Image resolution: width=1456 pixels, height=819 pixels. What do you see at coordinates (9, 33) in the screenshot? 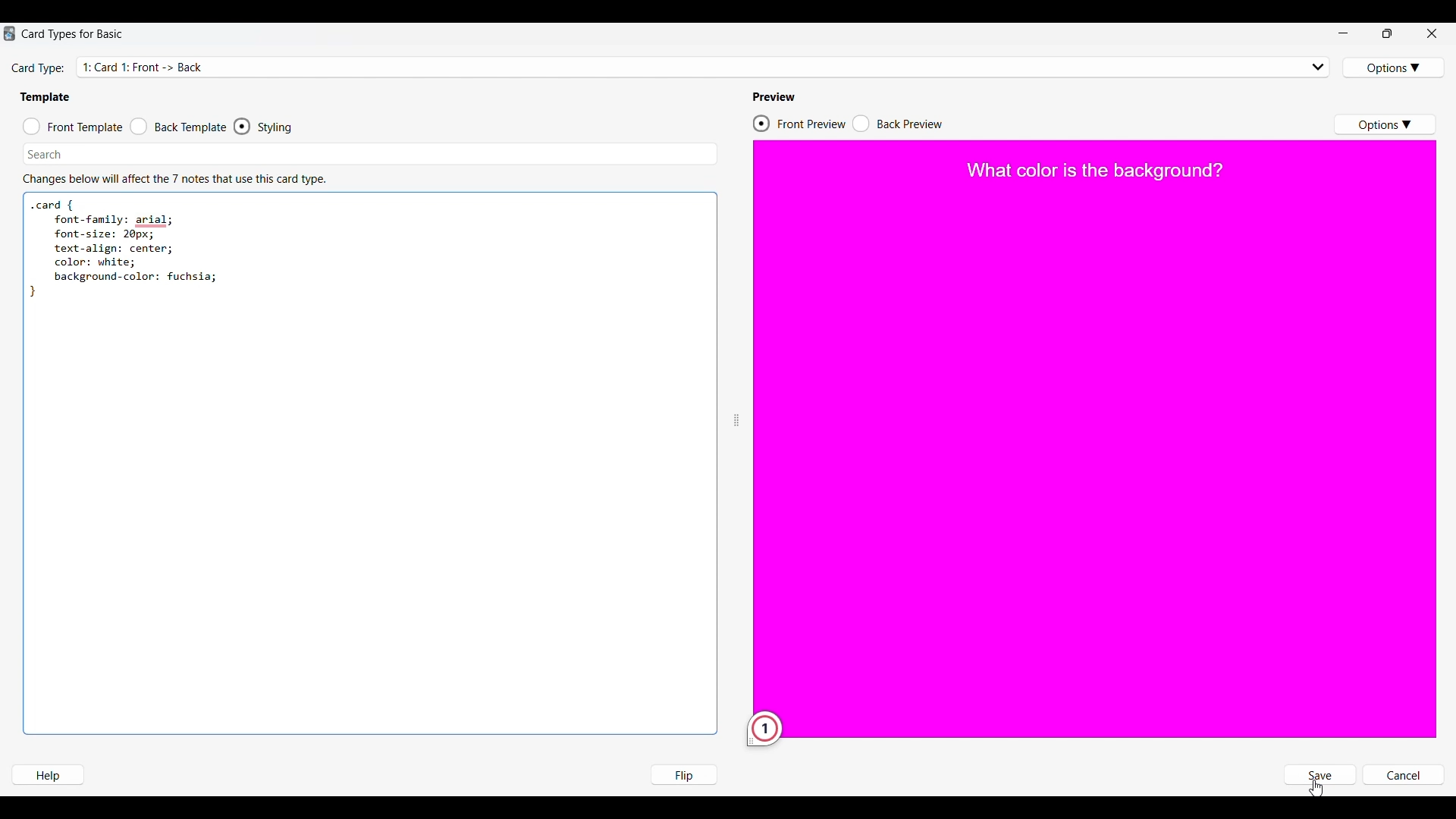
I see `Software logo` at bounding box center [9, 33].